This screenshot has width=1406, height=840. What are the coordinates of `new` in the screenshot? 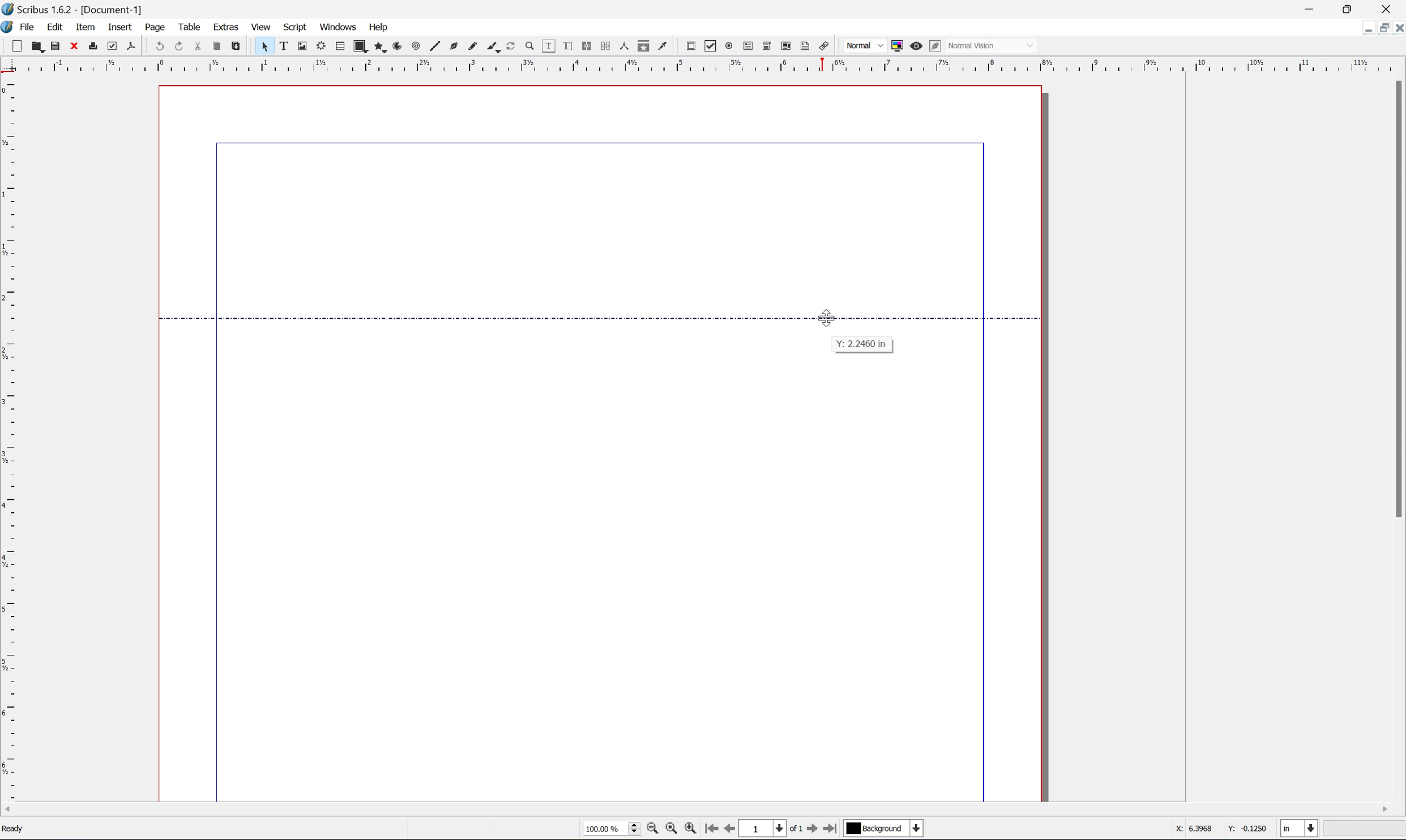 It's located at (16, 47).